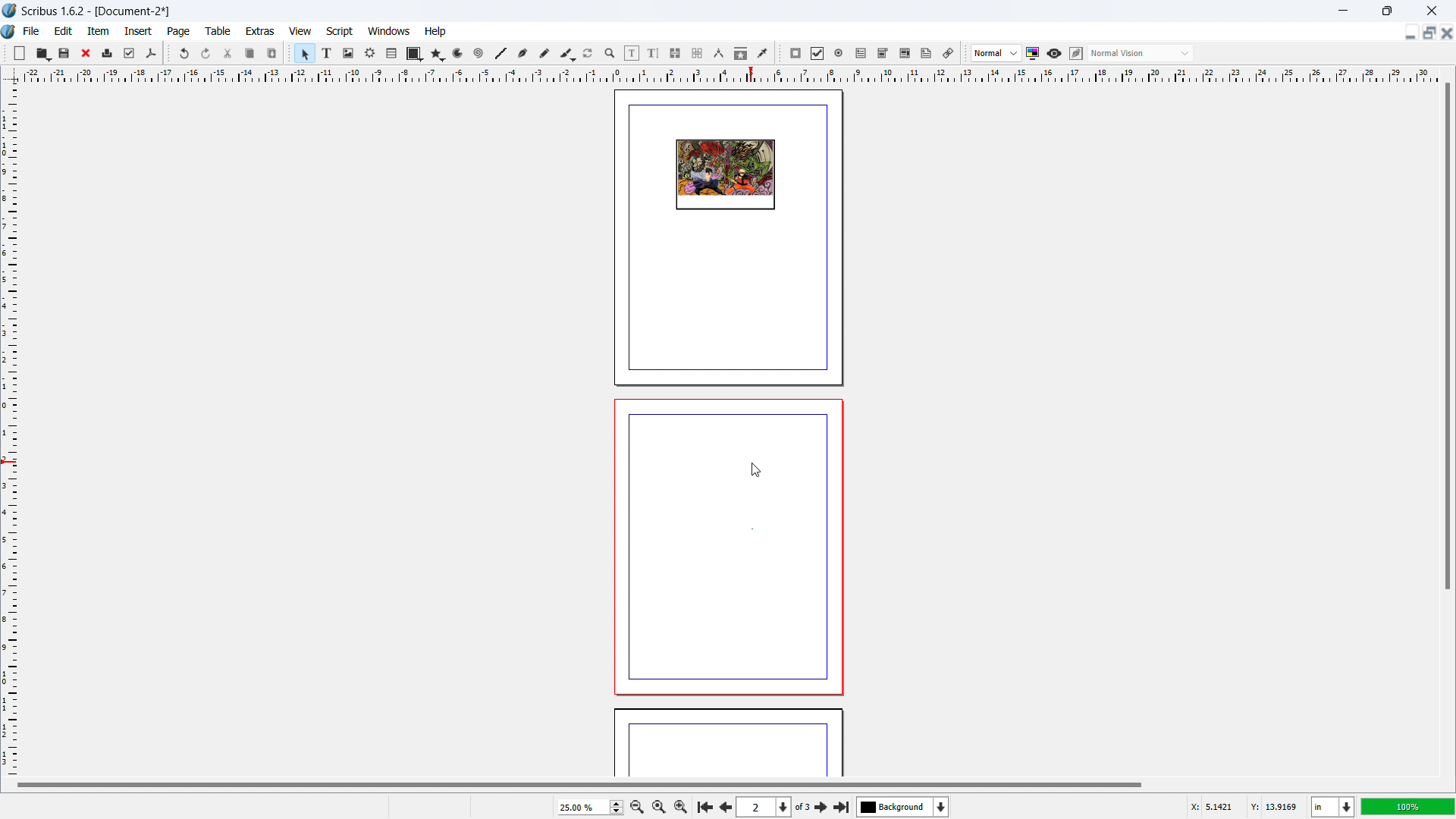 Image resolution: width=1456 pixels, height=819 pixels. What do you see at coordinates (965, 54) in the screenshot?
I see `move toolbox` at bounding box center [965, 54].